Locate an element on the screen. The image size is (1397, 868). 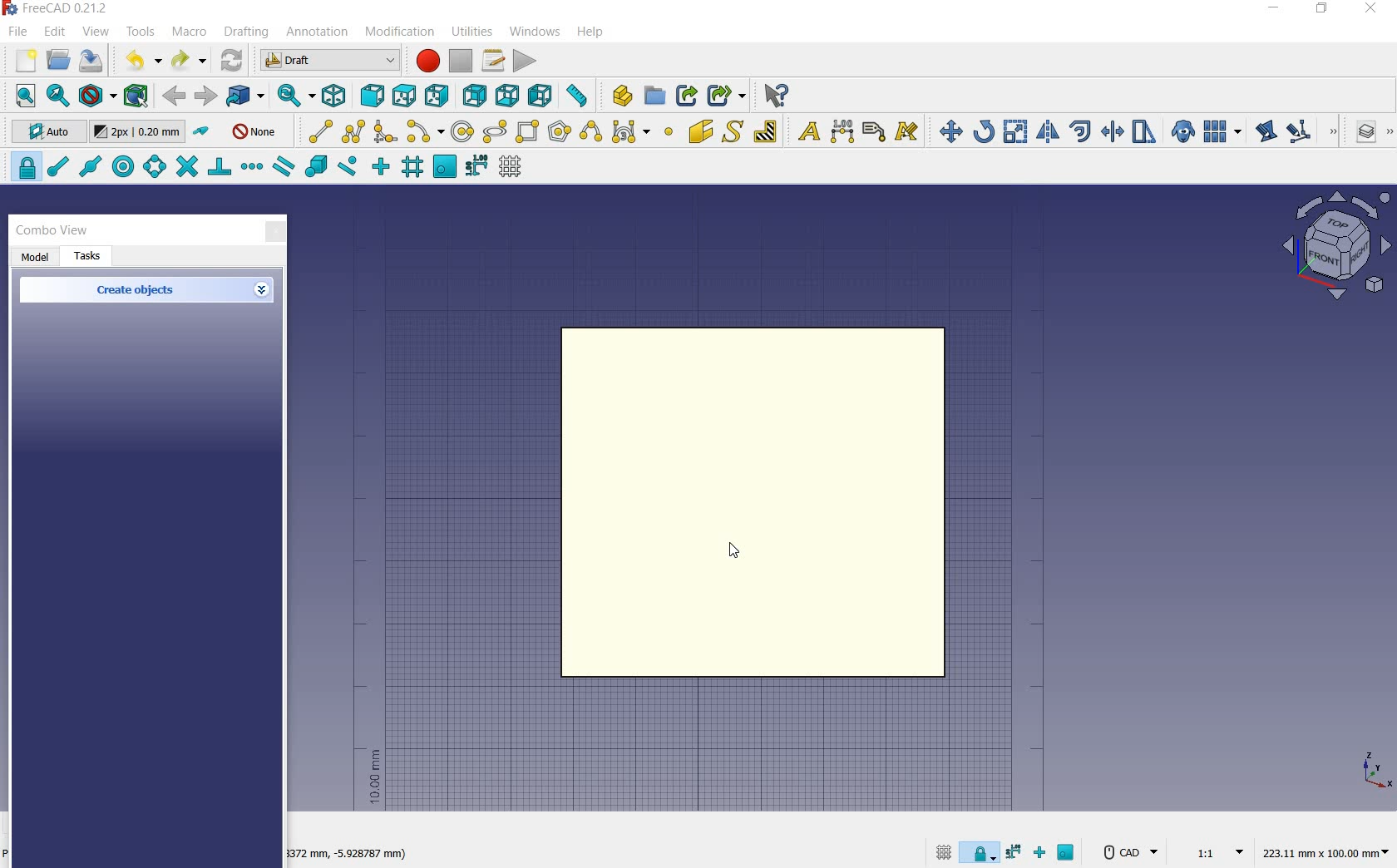
snap lock is located at coordinates (981, 849).